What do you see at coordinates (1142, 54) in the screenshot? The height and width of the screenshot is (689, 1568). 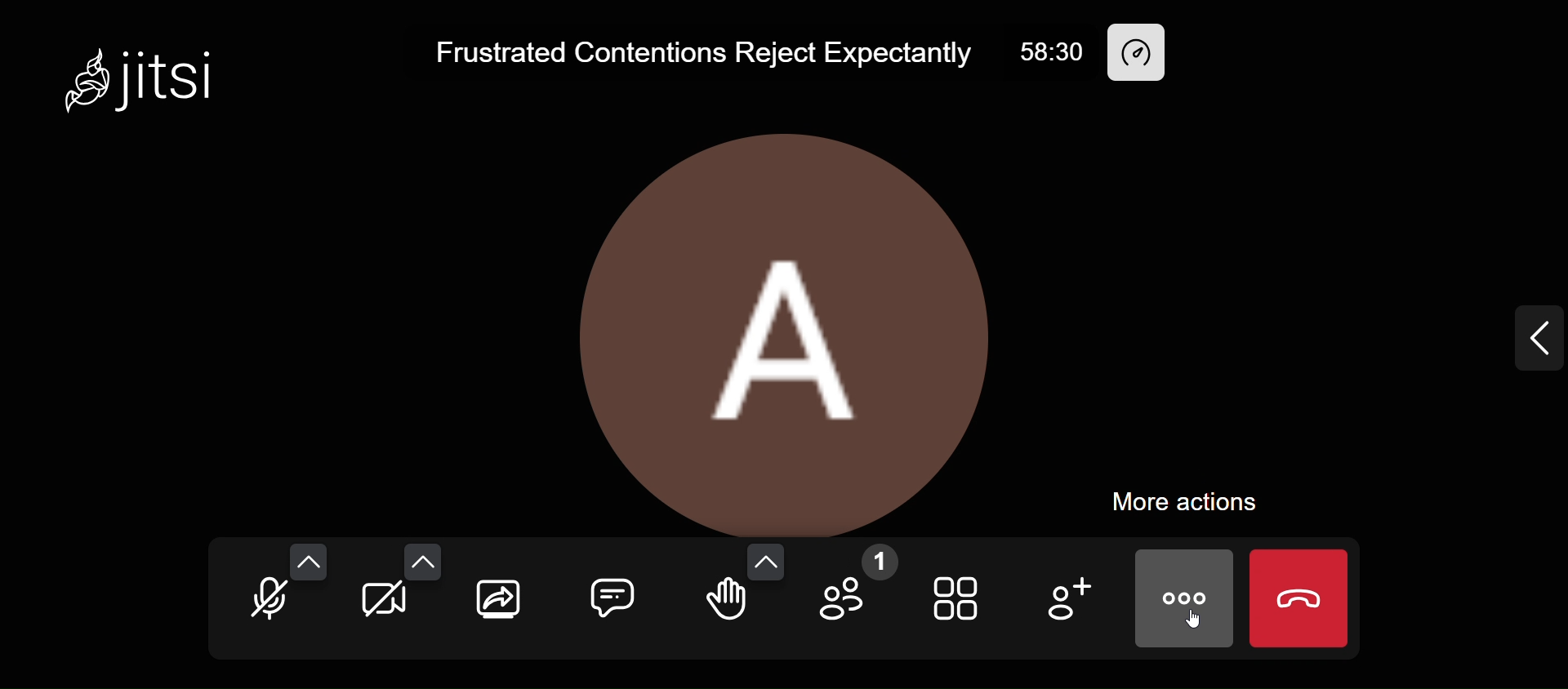 I see `performance setting` at bounding box center [1142, 54].